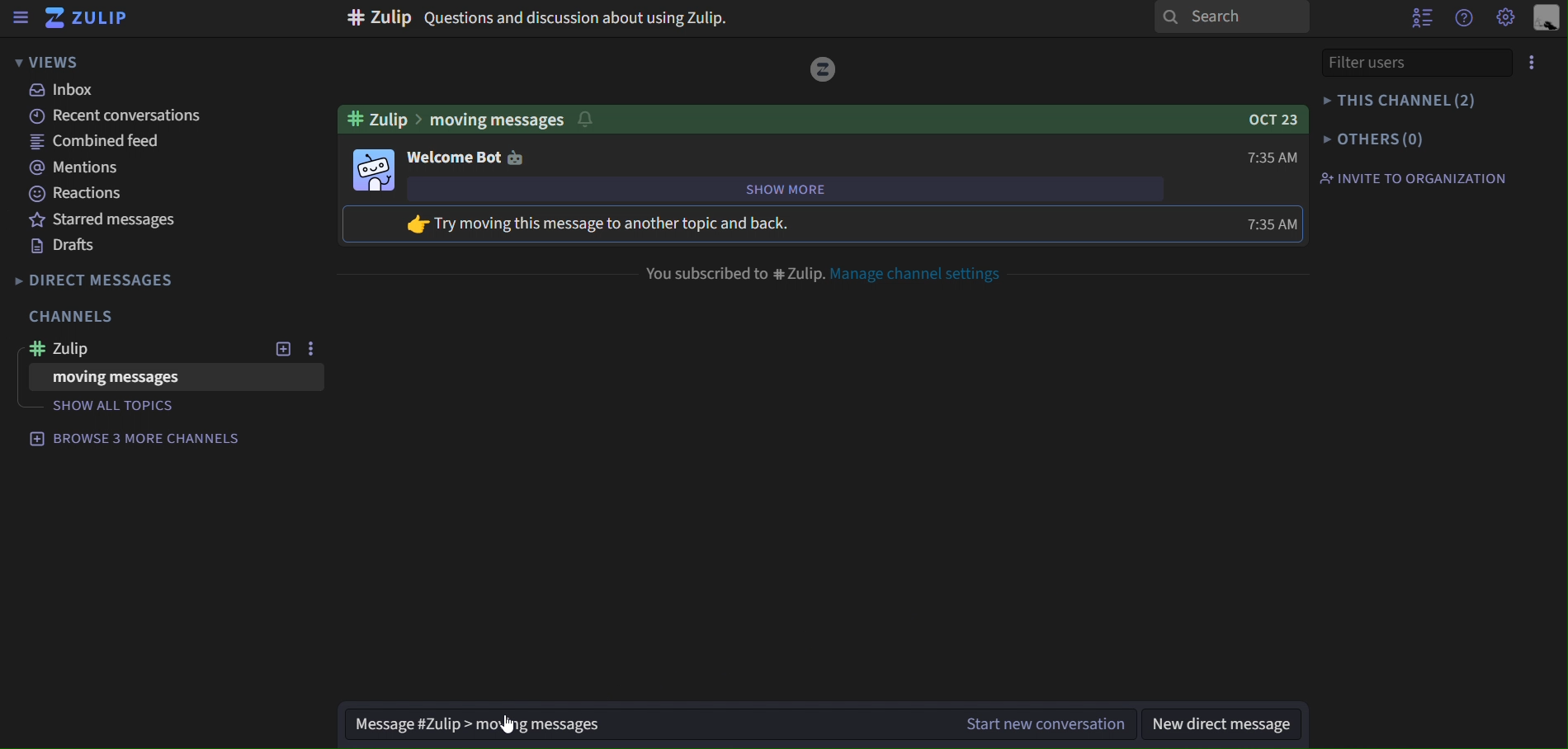 Image resolution: width=1568 pixels, height=749 pixels. I want to click on browse 3 more channels, so click(137, 437).